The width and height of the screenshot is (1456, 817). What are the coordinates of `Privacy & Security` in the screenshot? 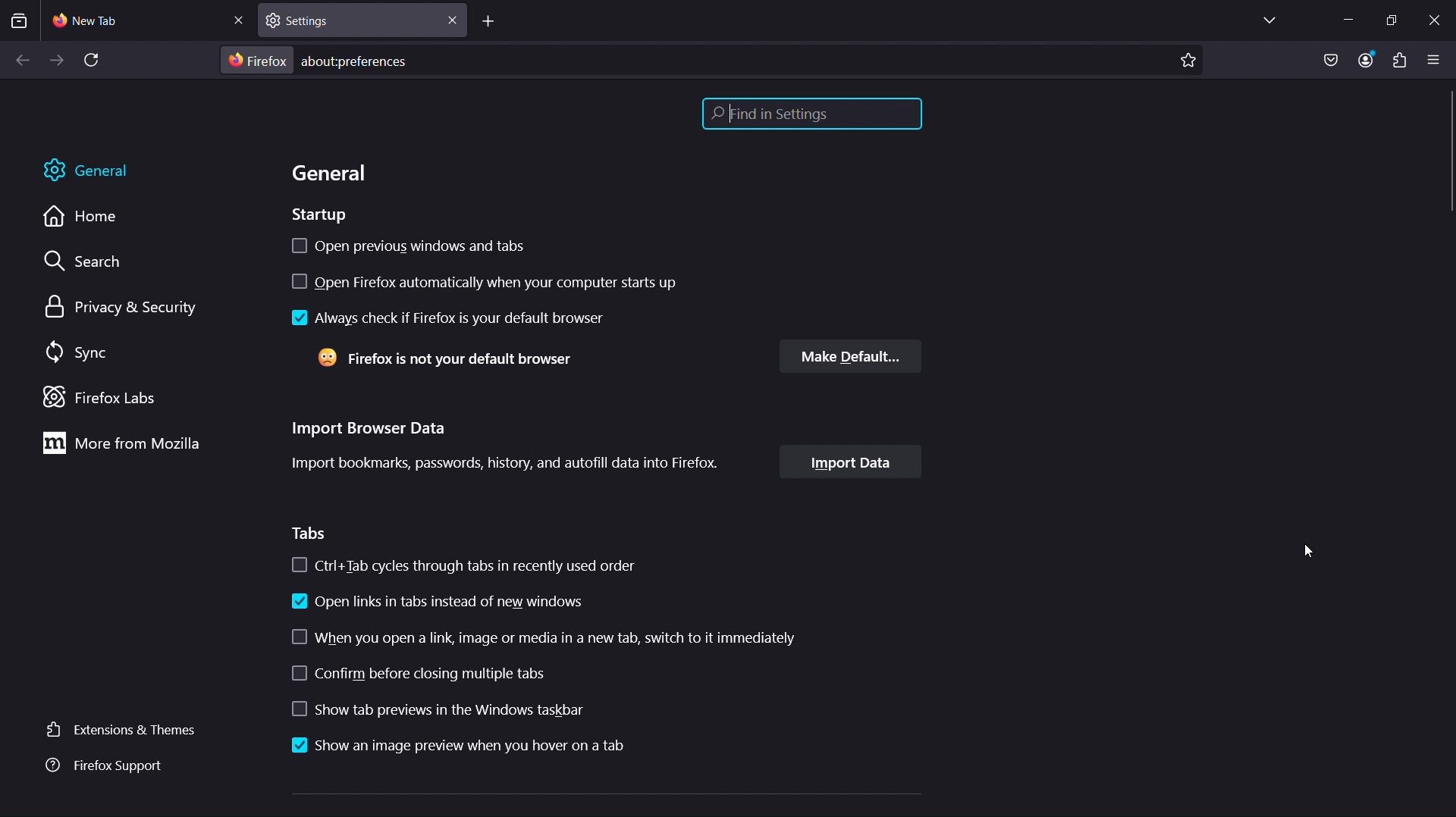 It's located at (124, 305).